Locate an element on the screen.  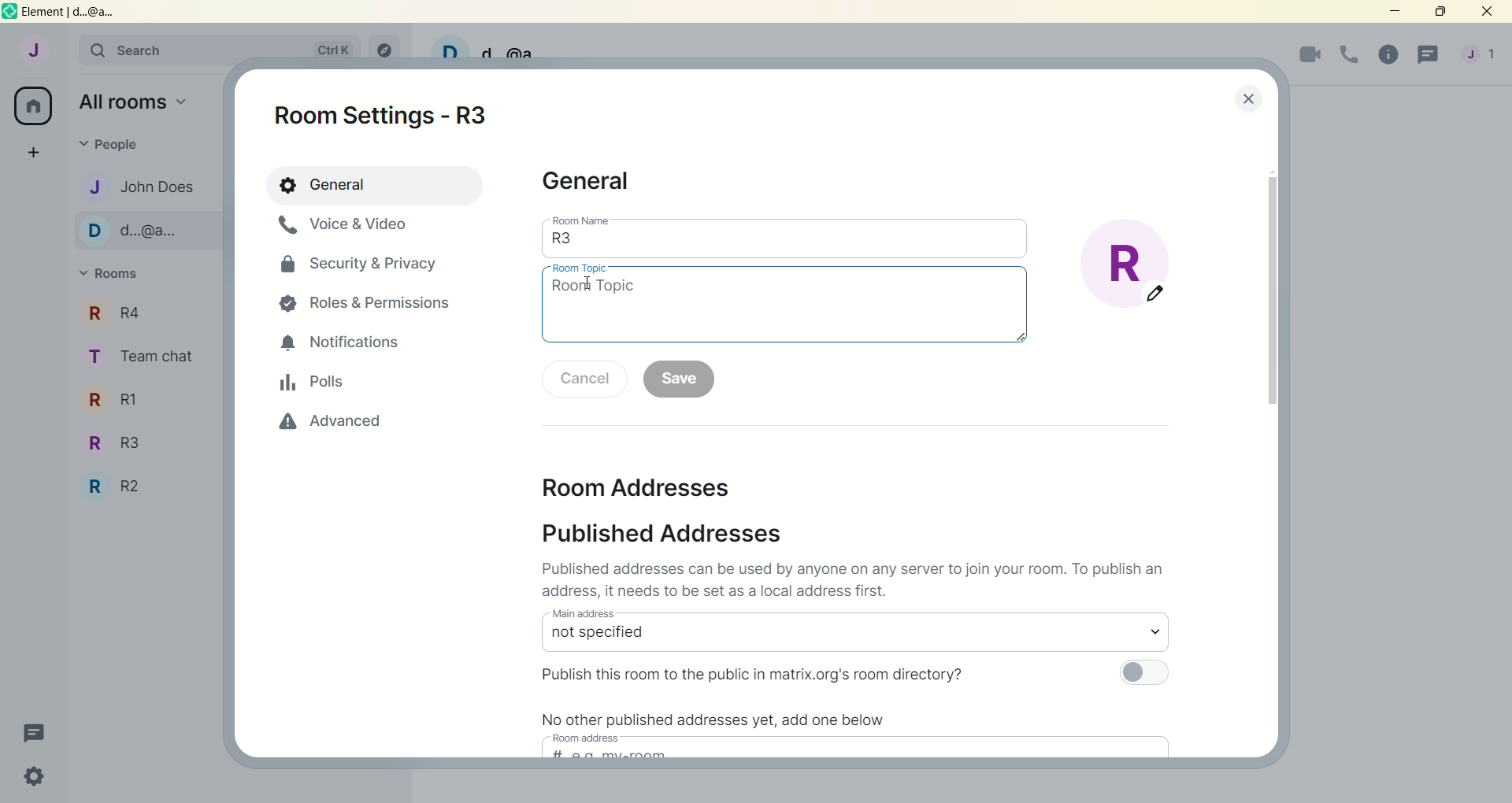
room info is located at coordinates (1387, 54).